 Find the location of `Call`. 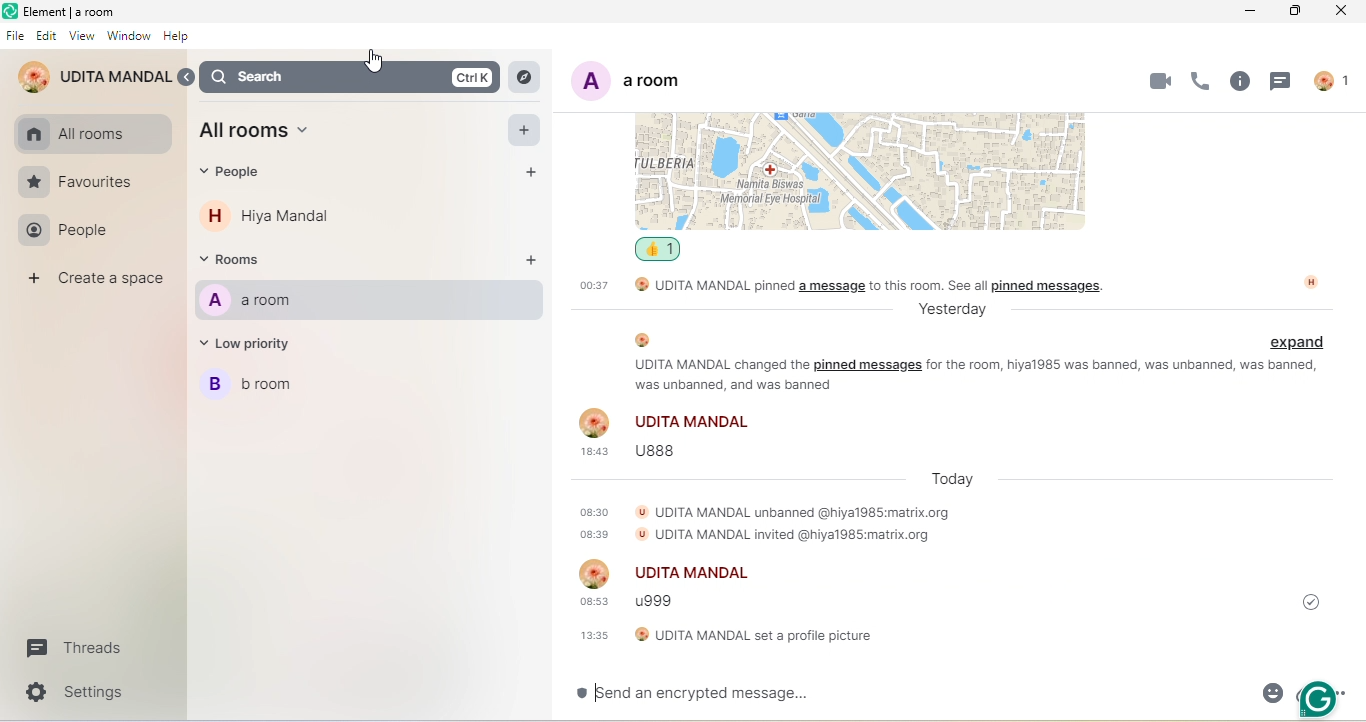

Call is located at coordinates (1196, 81).